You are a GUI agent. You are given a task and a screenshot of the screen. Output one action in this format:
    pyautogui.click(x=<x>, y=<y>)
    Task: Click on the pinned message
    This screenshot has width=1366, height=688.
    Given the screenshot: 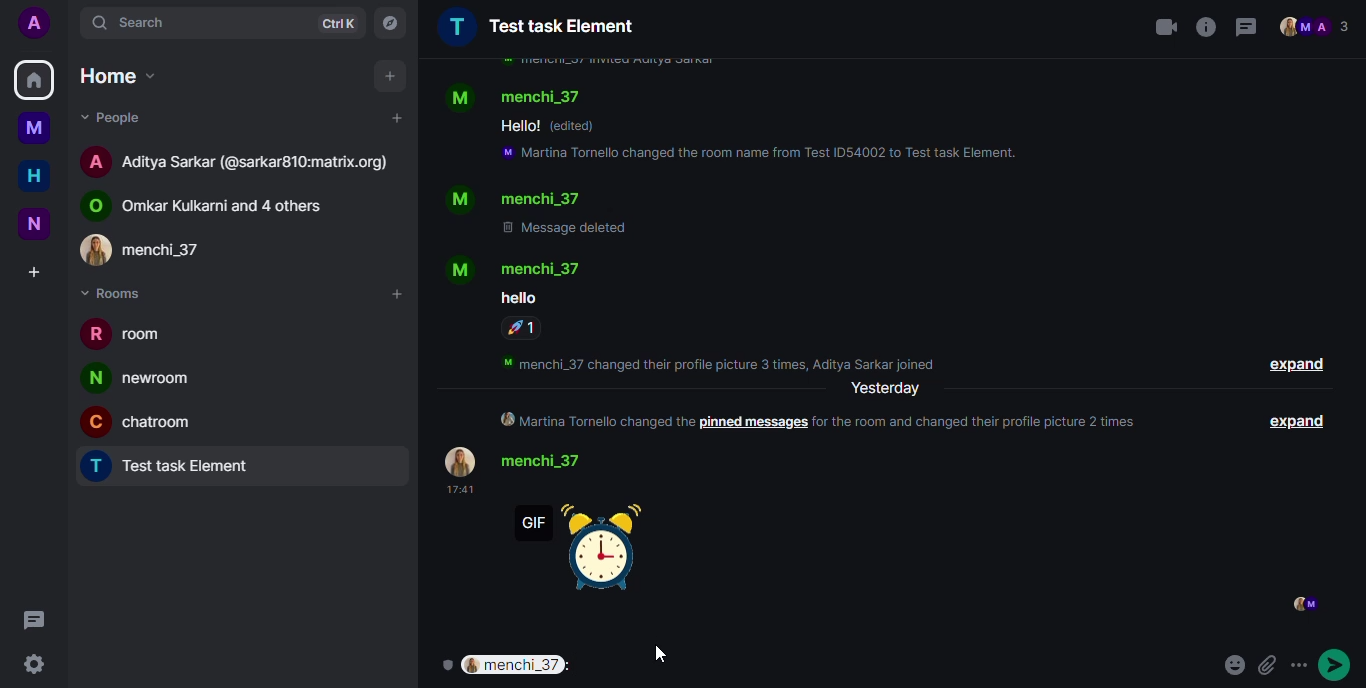 What is the action you would take?
    pyautogui.click(x=753, y=423)
    